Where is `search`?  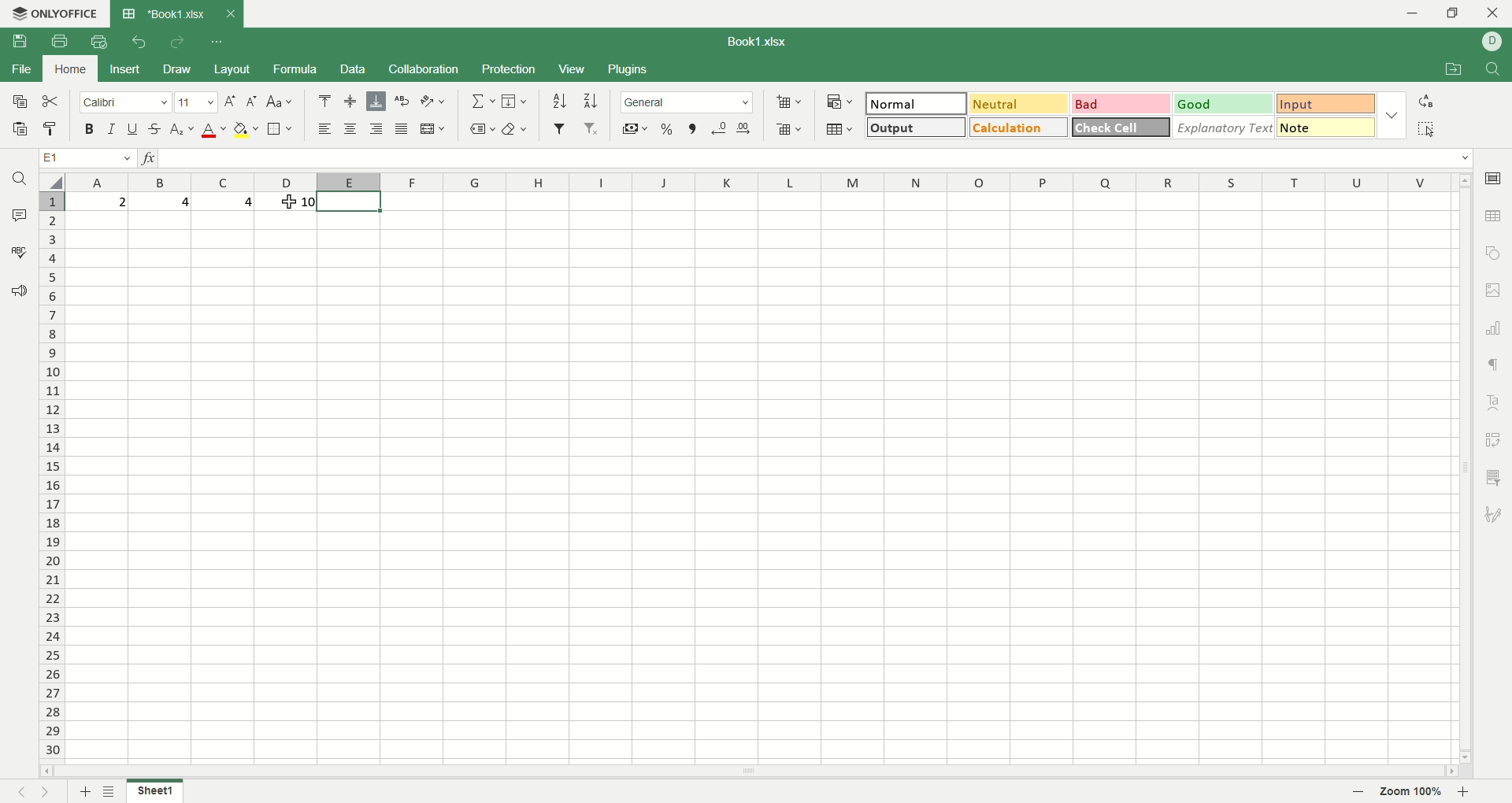 search is located at coordinates (16, 181).